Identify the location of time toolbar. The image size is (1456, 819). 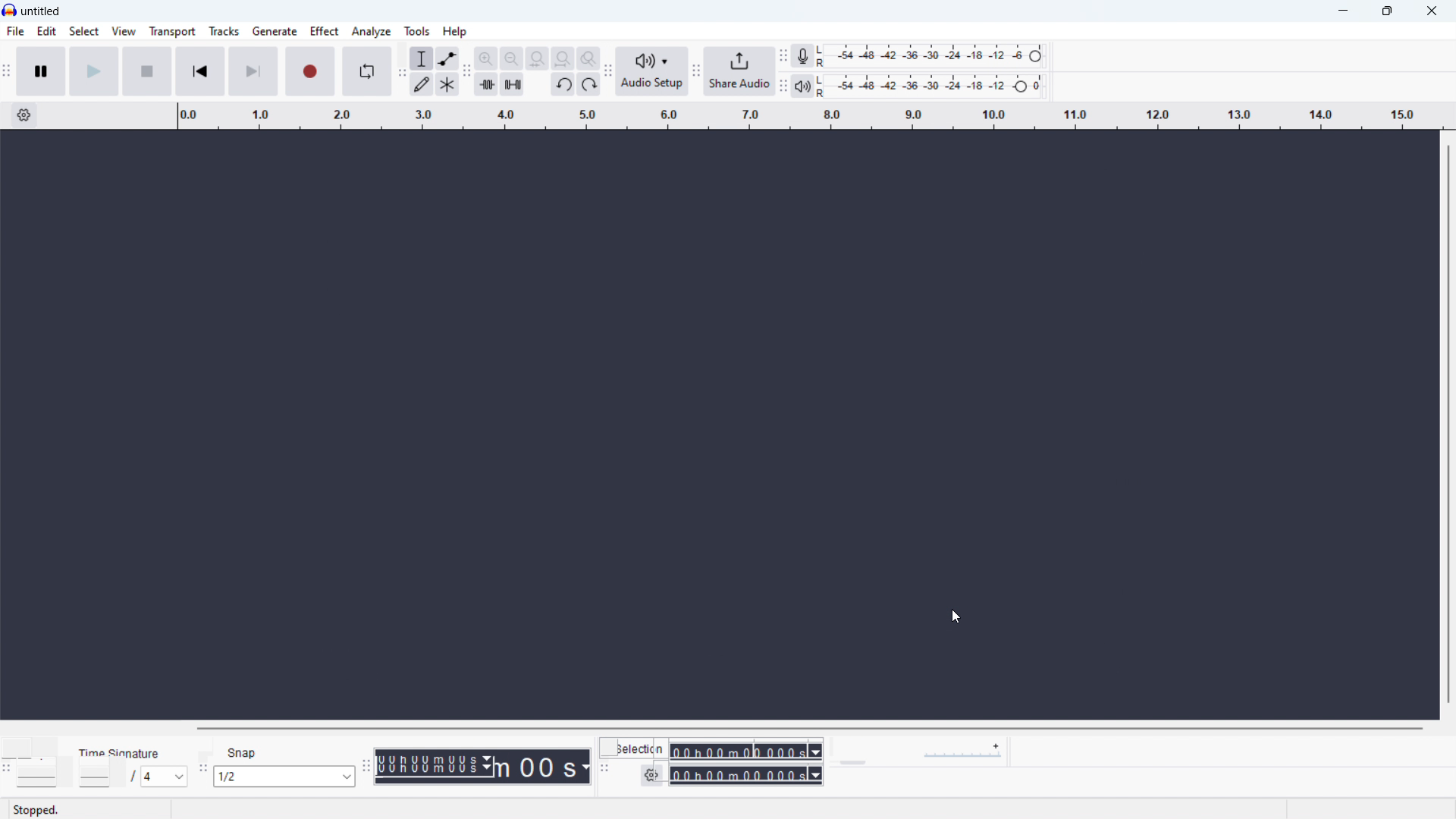
(366, 767).